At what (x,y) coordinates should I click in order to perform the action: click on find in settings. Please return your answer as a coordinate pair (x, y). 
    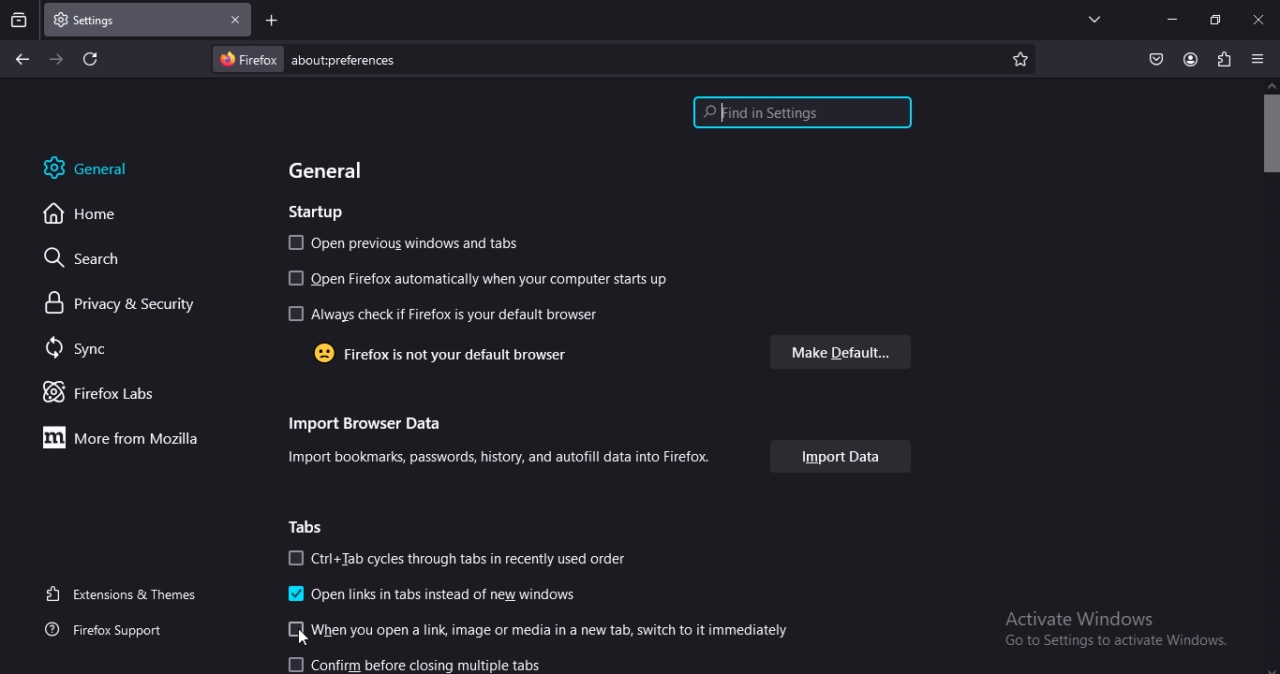
    Looking at the image, I should click on (806, 113).